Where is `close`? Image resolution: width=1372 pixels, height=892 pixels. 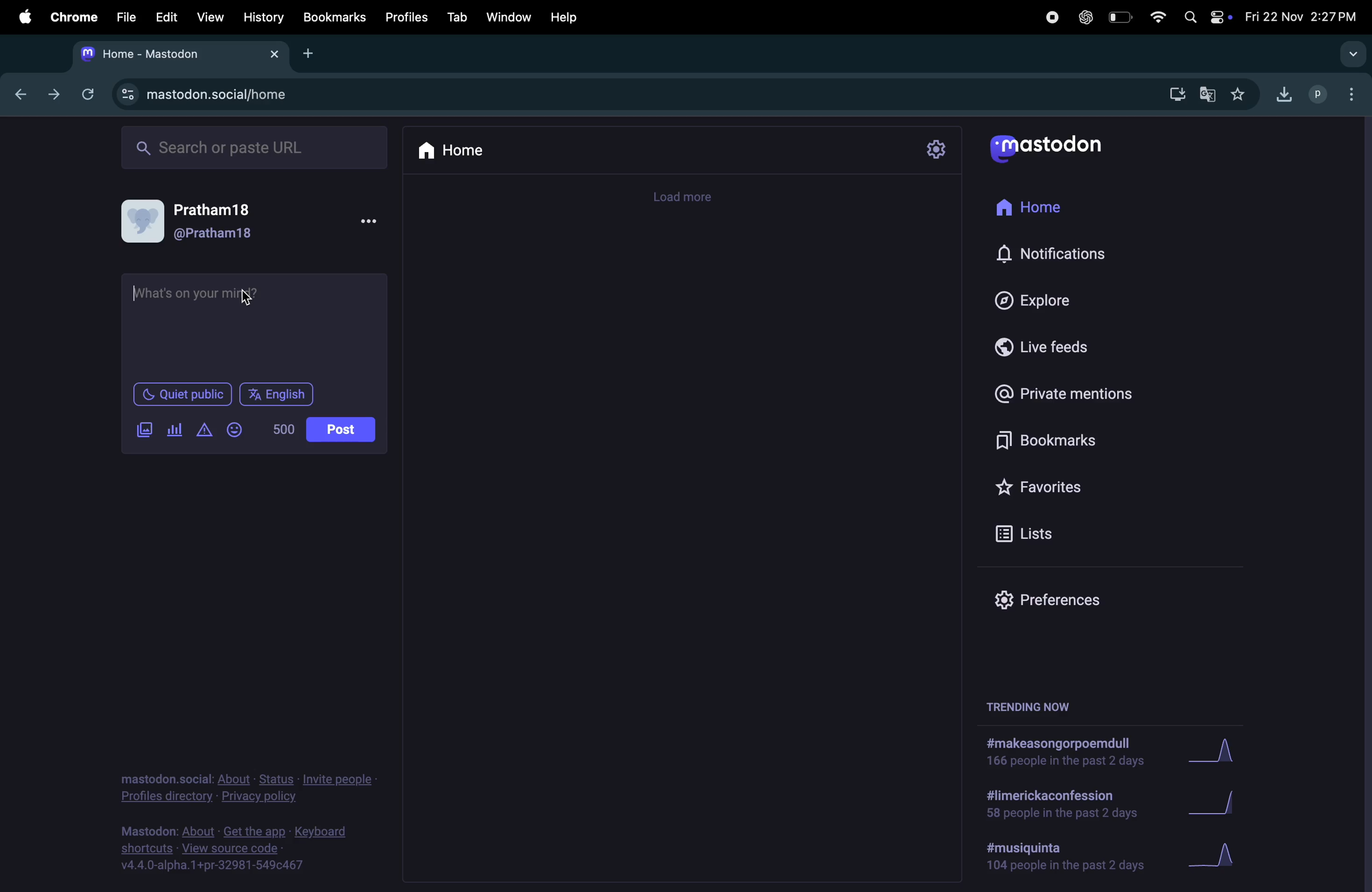
close is located at coordinates (276, 55).